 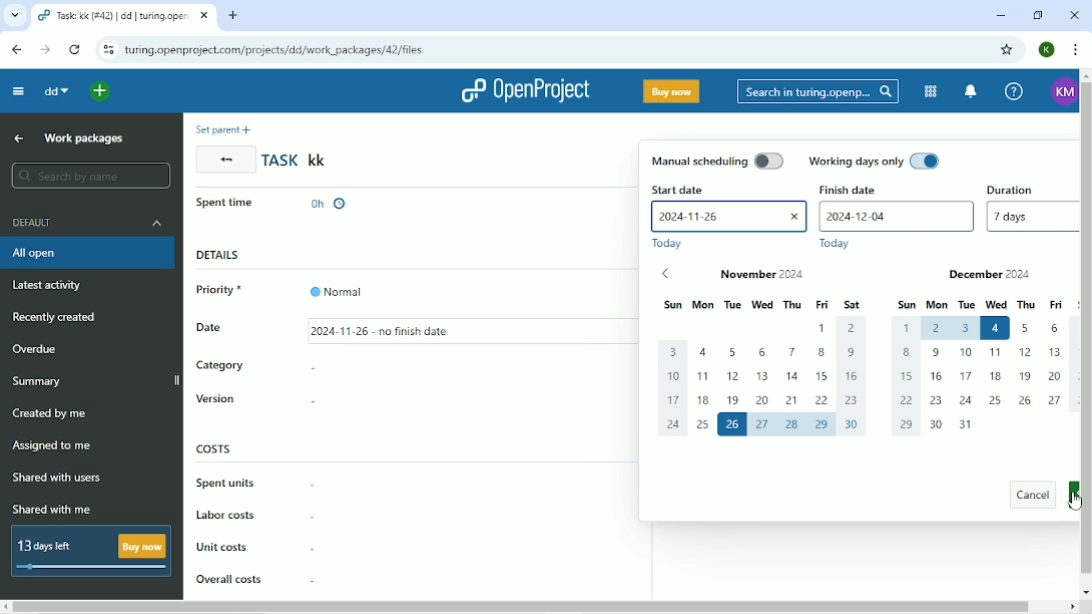 I want to click on spent time, so click(x=230, y=201).